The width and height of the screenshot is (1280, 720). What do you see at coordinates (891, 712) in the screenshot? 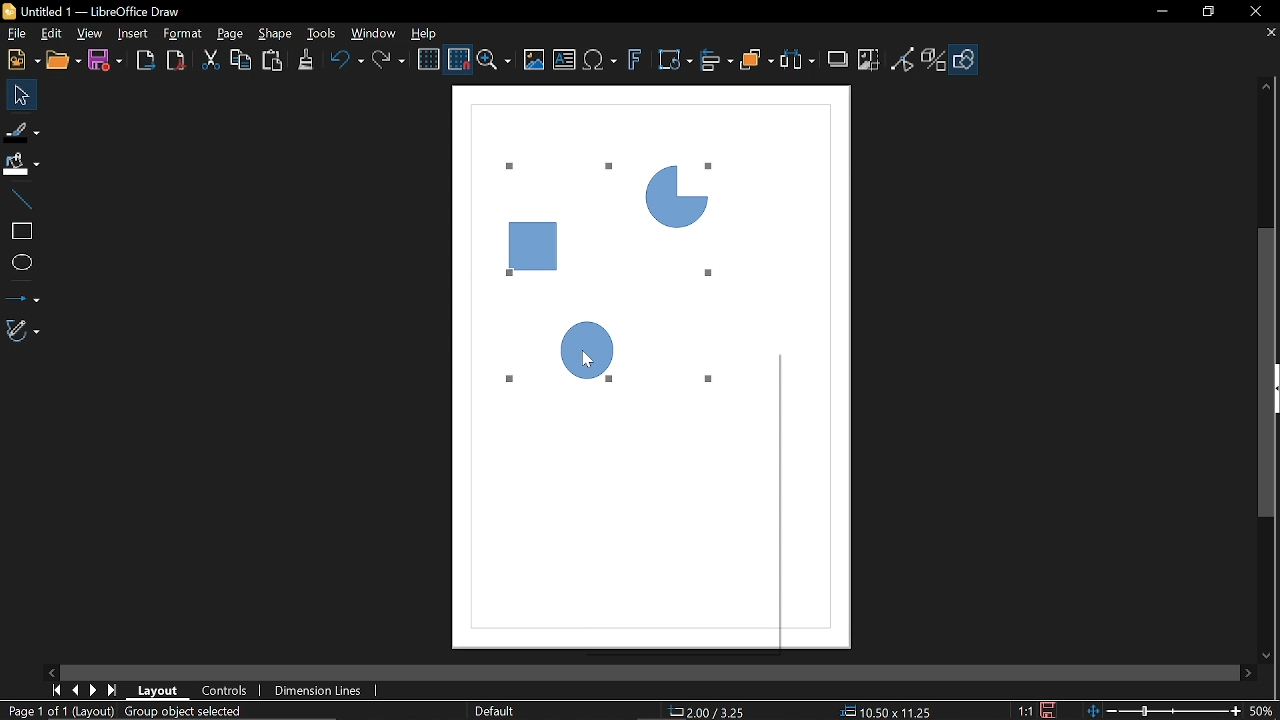
I see `Size` at bounding box center [891, 712].